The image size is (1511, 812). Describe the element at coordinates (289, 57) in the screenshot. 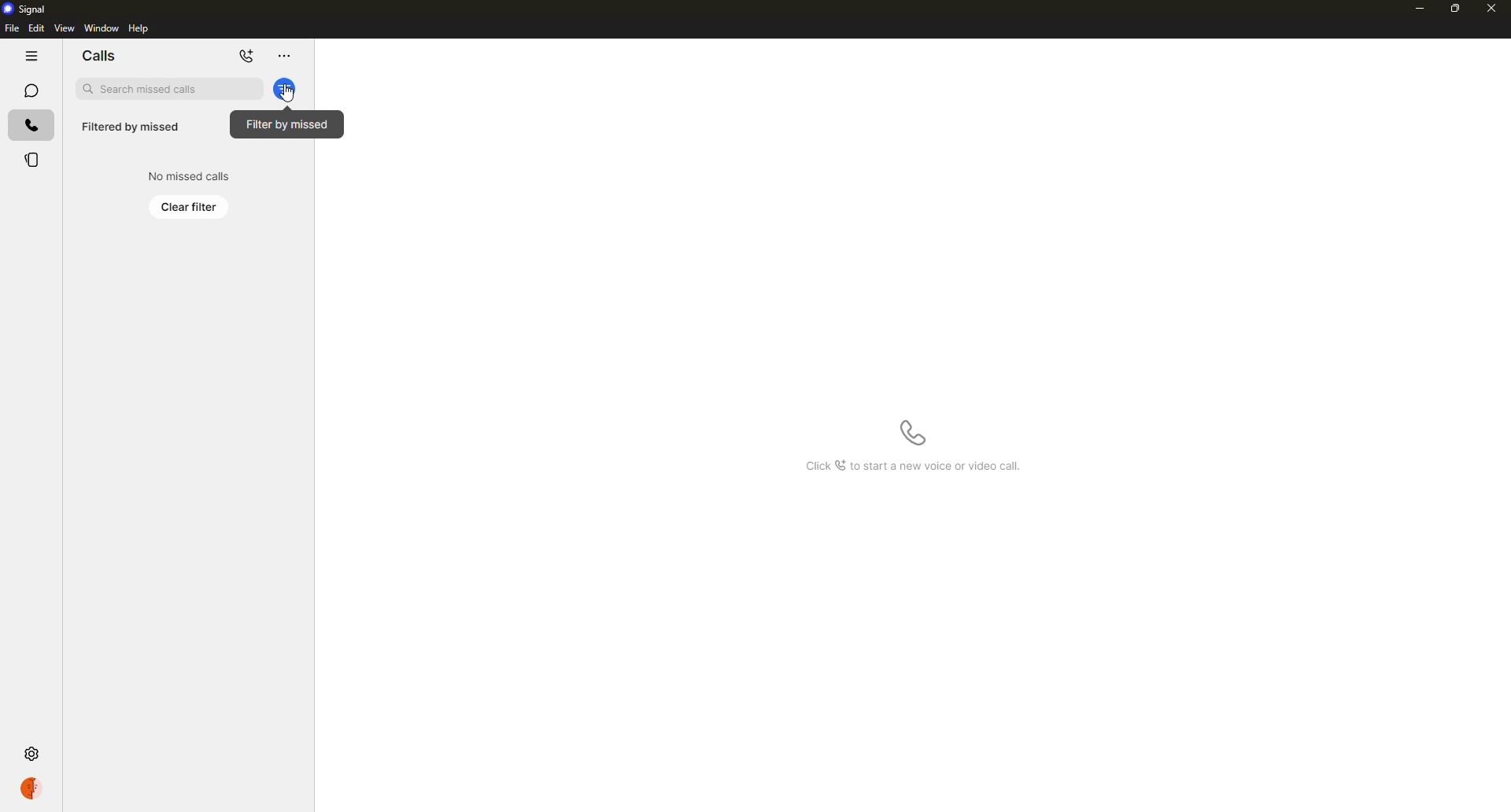

I see `more` at that location.